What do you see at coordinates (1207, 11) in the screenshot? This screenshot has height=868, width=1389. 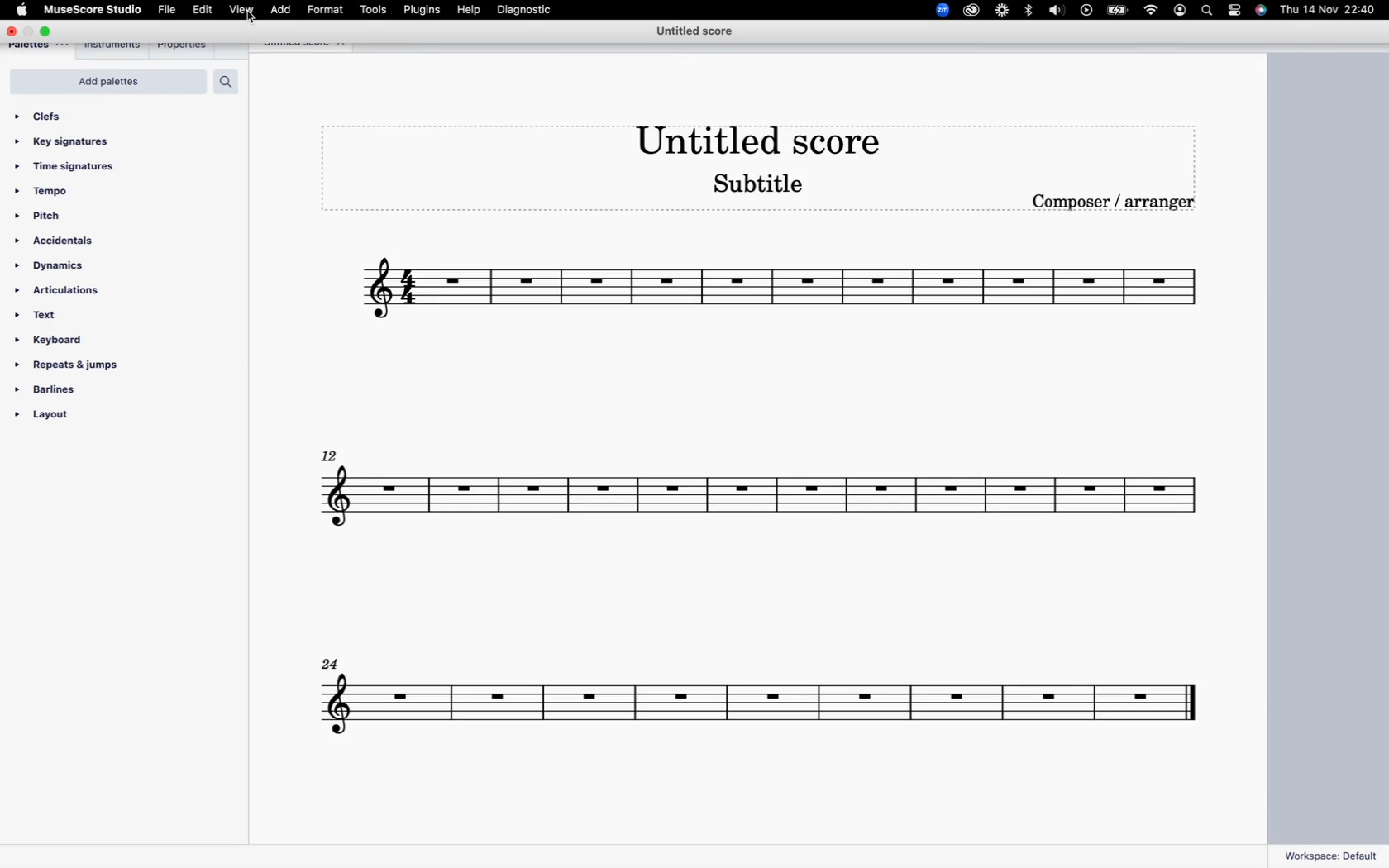 I see `search` at bounding box center [1207, 11].